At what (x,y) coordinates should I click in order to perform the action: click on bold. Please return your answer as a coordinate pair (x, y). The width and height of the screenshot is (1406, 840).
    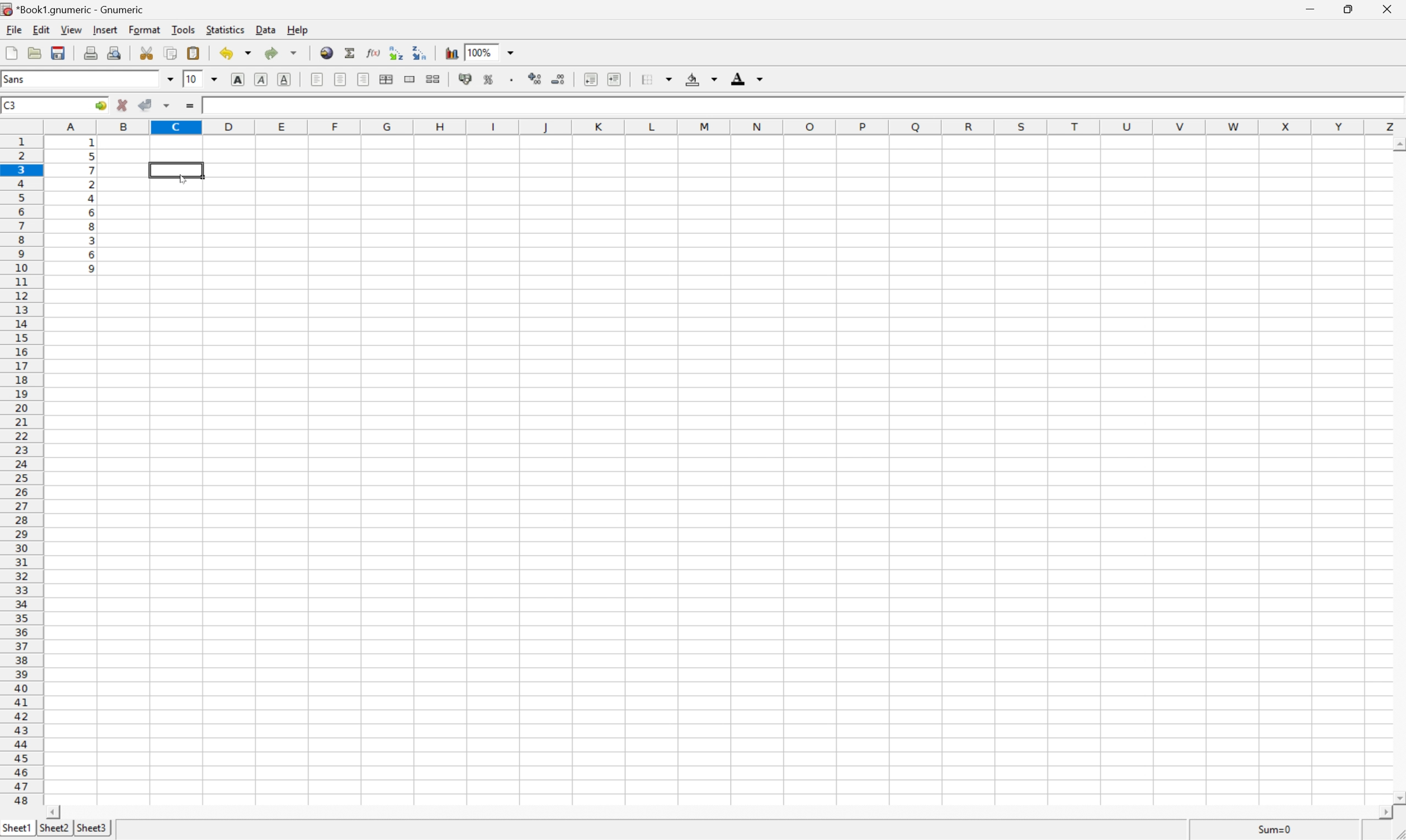
    Looking at the image, I should click on (237, 79).